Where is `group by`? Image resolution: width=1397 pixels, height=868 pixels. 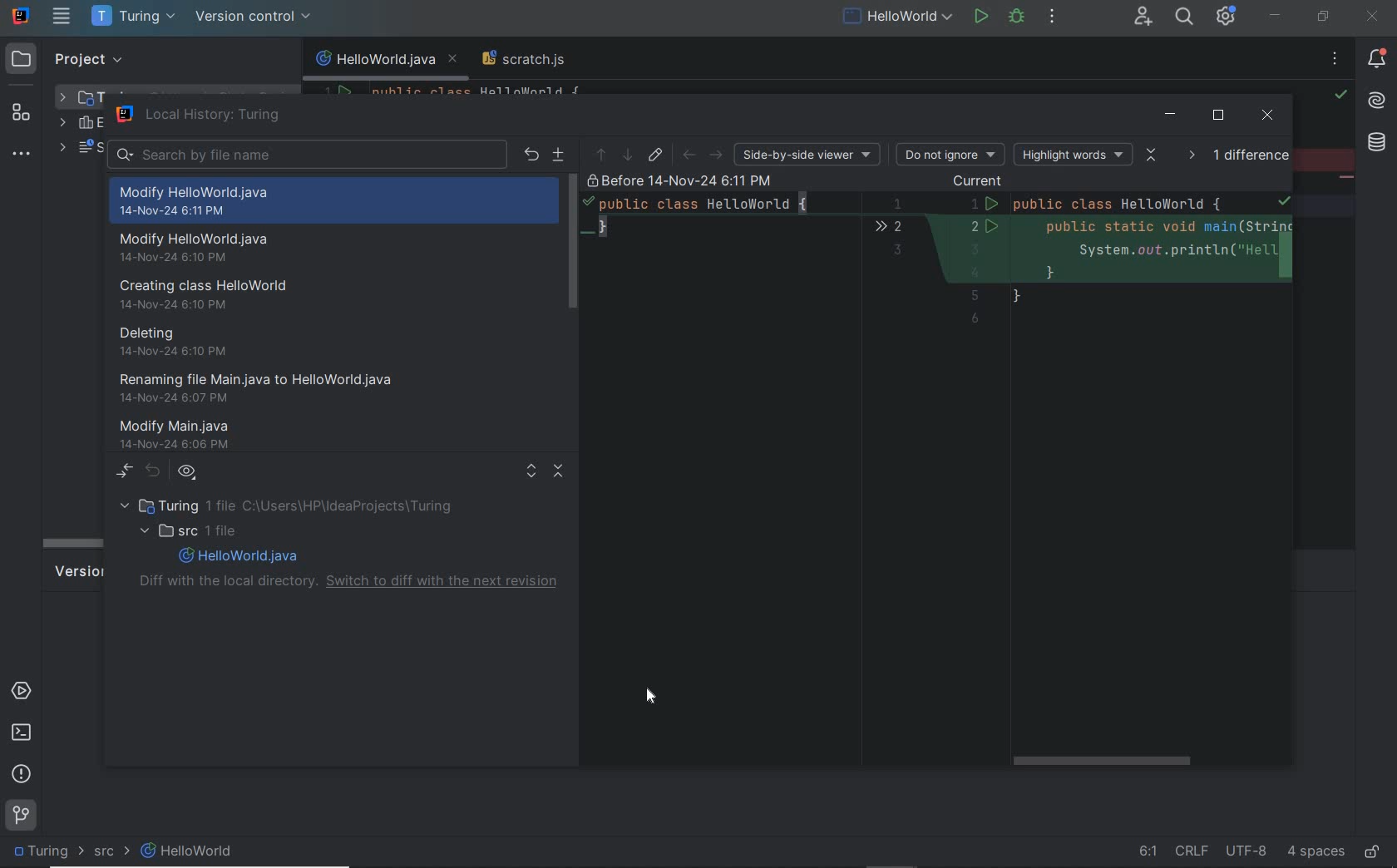
group by is located at coordinates (188, 474).